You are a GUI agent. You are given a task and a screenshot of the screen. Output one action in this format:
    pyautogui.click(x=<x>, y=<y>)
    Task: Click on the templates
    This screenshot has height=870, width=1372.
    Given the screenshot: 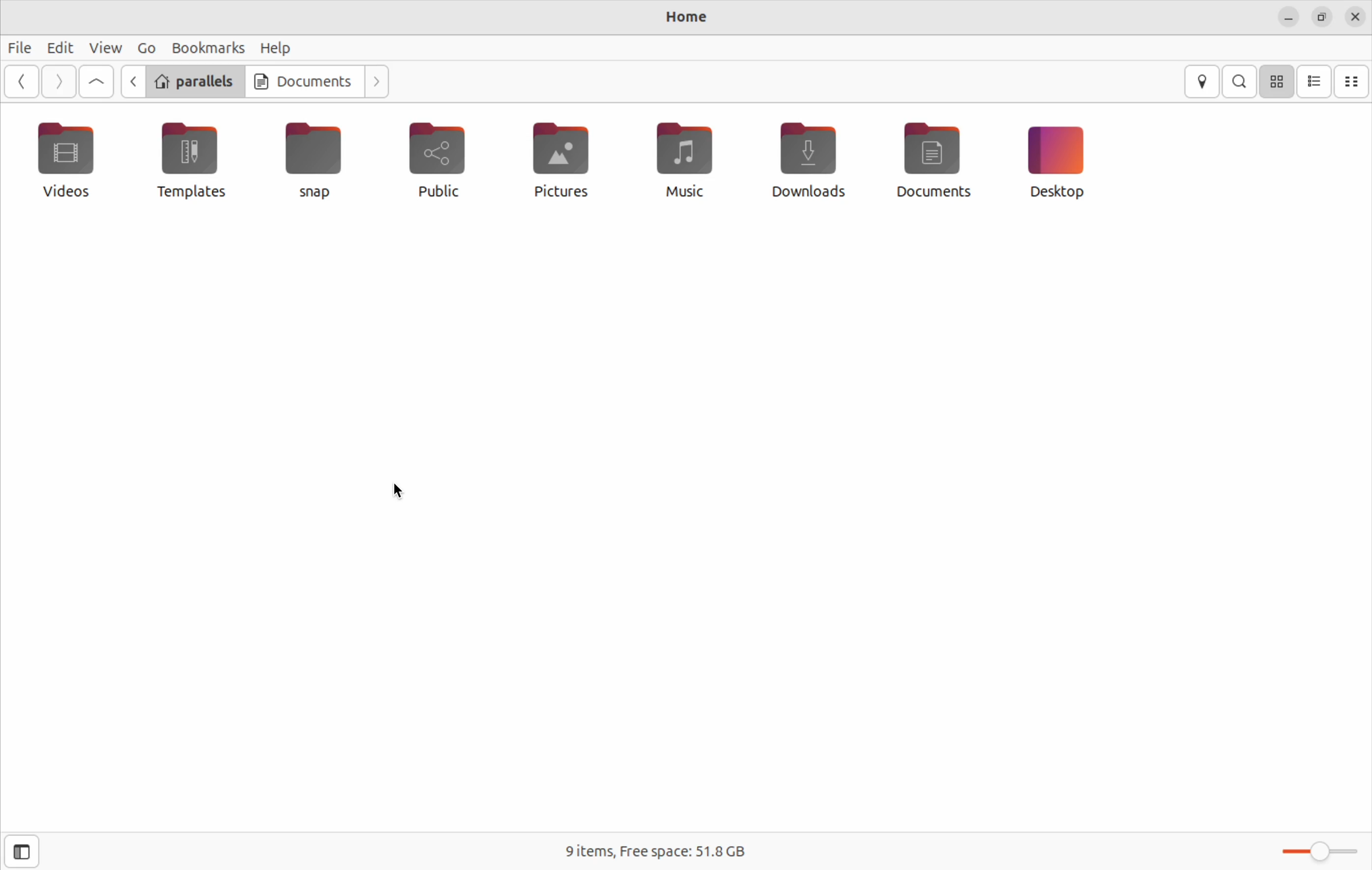 What is the action you would take?
    pyautogui.click(x=189, y=161)
    